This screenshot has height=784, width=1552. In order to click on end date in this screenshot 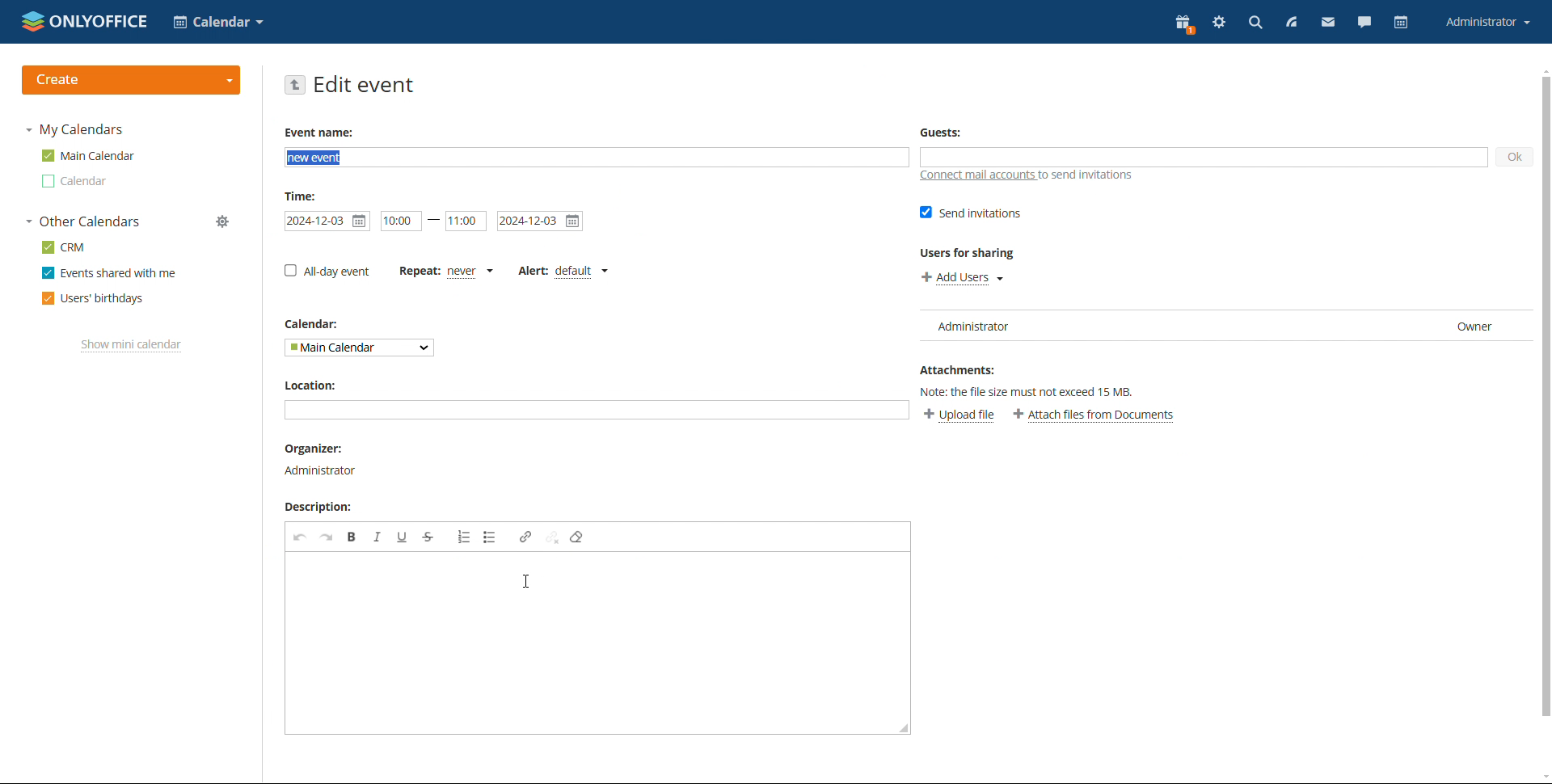, I will do `click(540, 221)`.